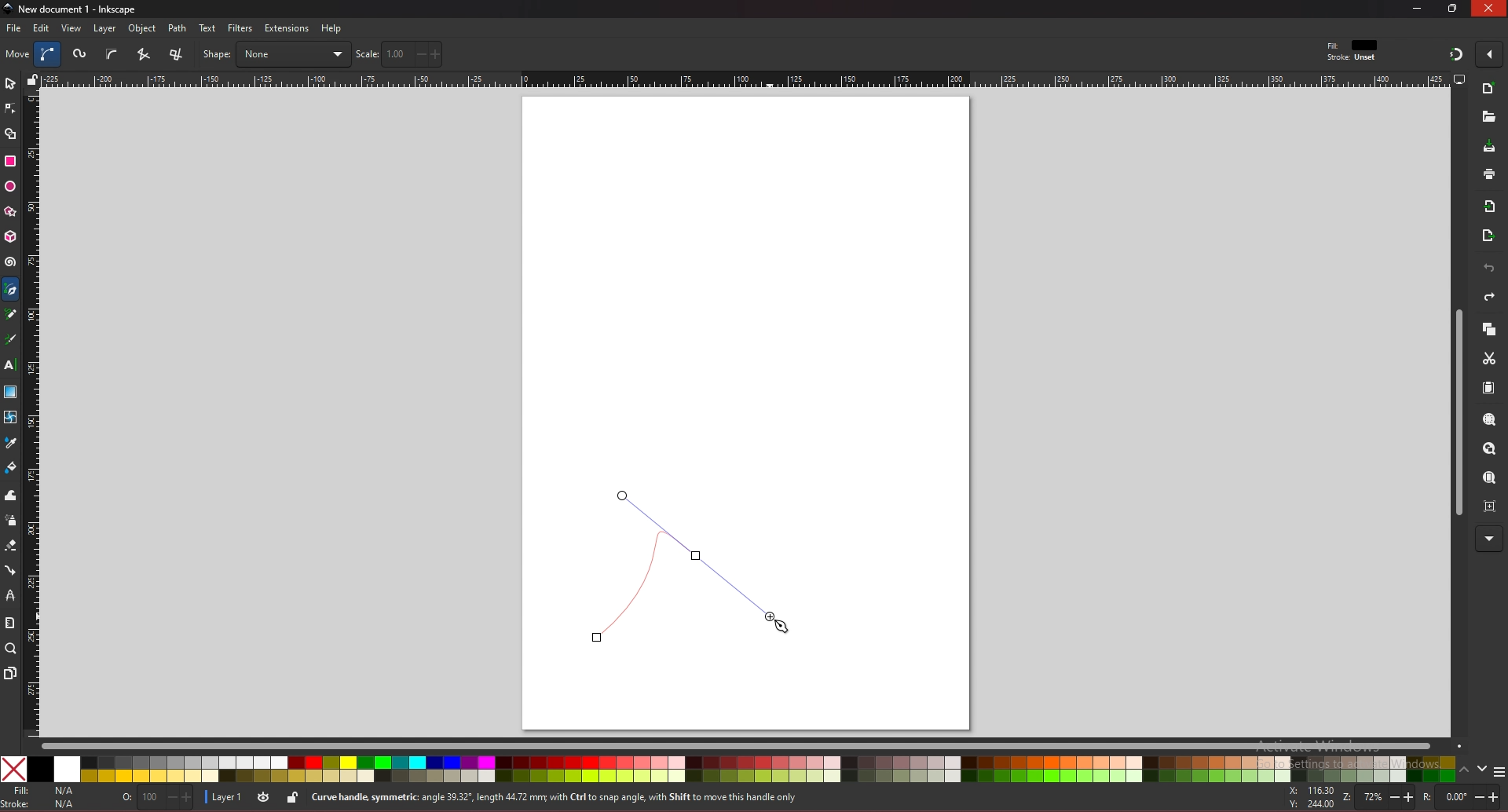  Describe the element at coordinates (745, 79) in the screenshot. I see `horizontal rule` at that location.